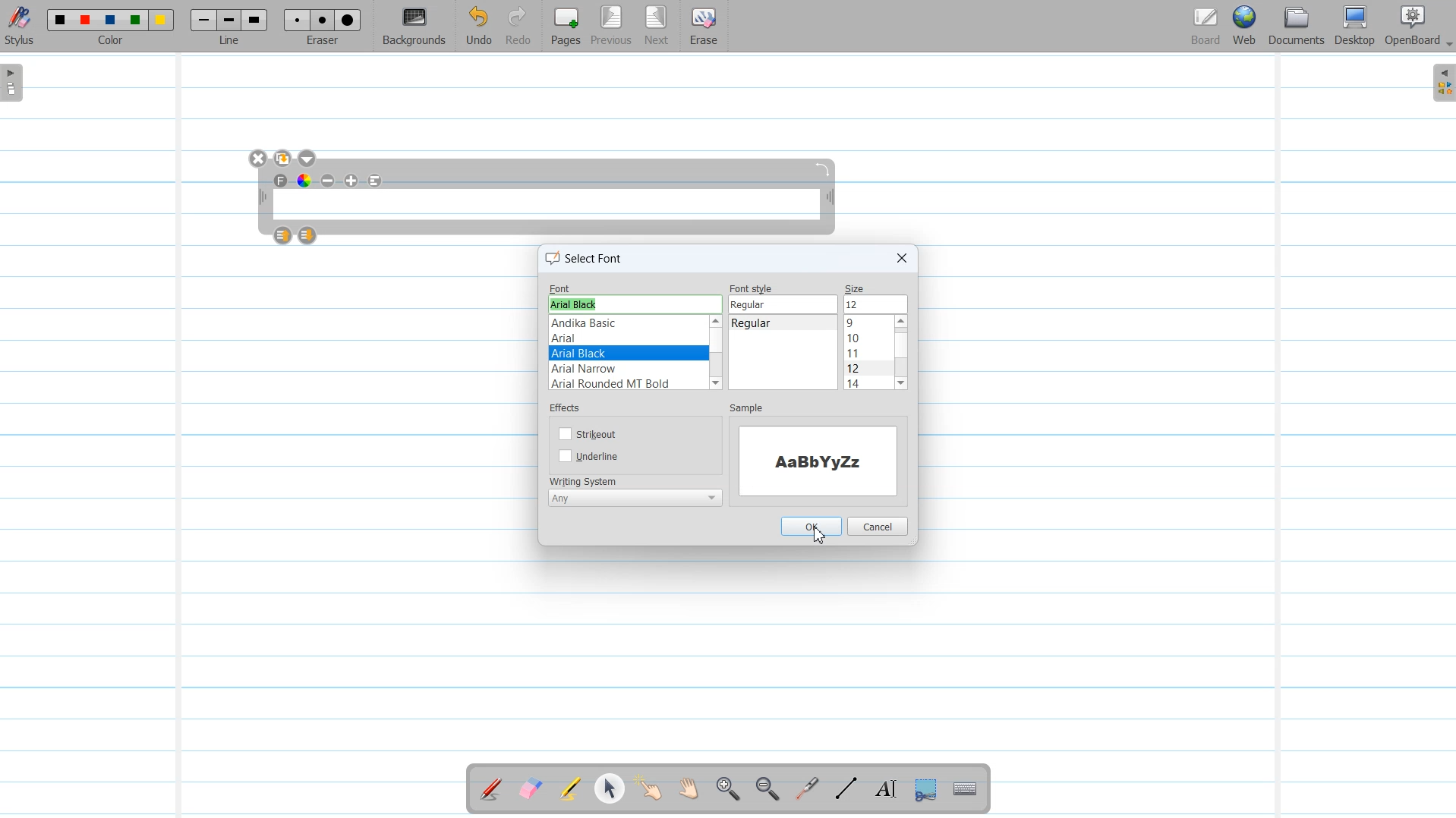 This screenshot has width=1456, height=818. Describe the element at coordinates (879, 525) in the screenshot. I see `Cancel` at that location.